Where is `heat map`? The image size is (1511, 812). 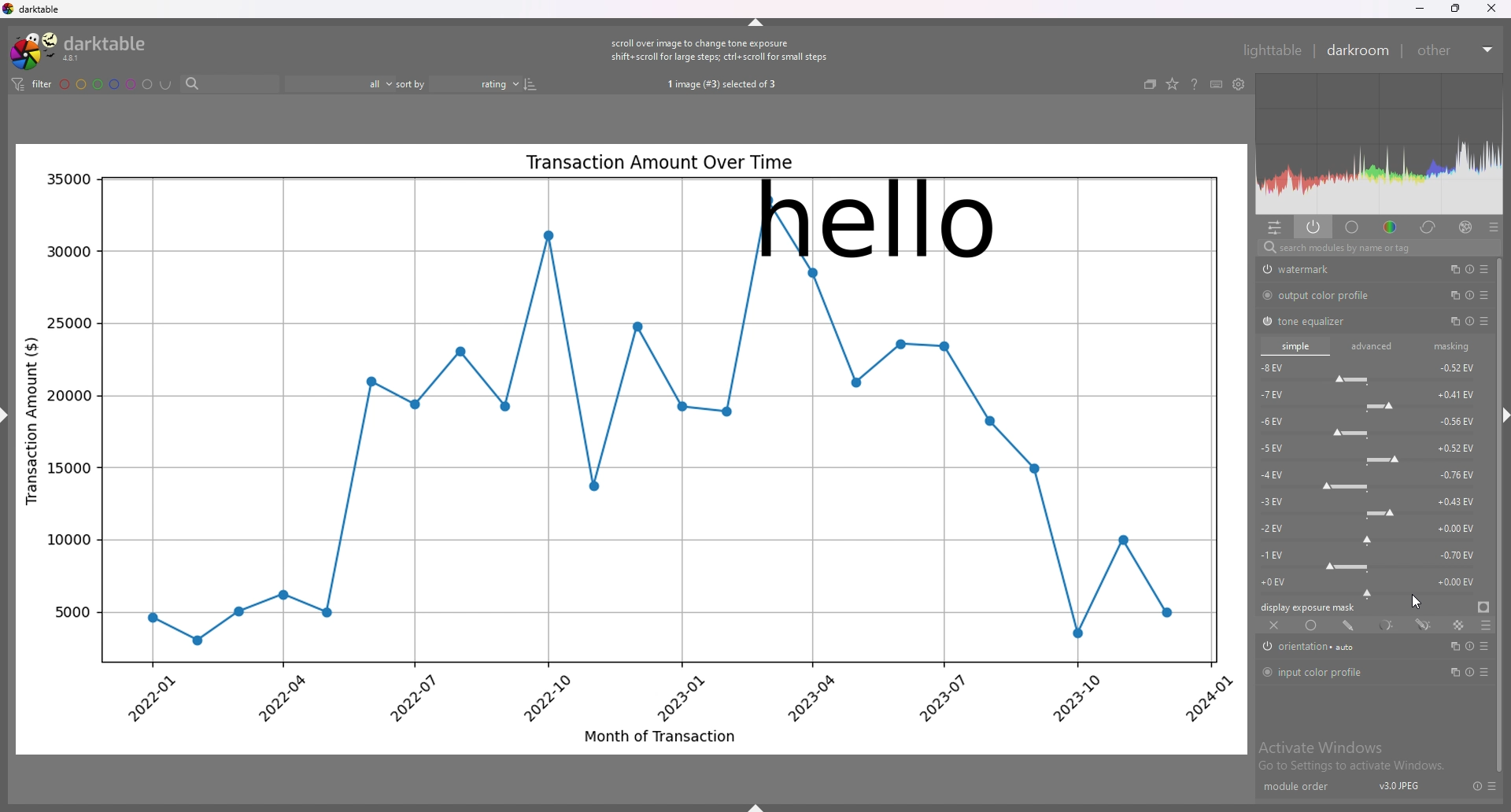
heat map is located at coordinates (1380, 143).